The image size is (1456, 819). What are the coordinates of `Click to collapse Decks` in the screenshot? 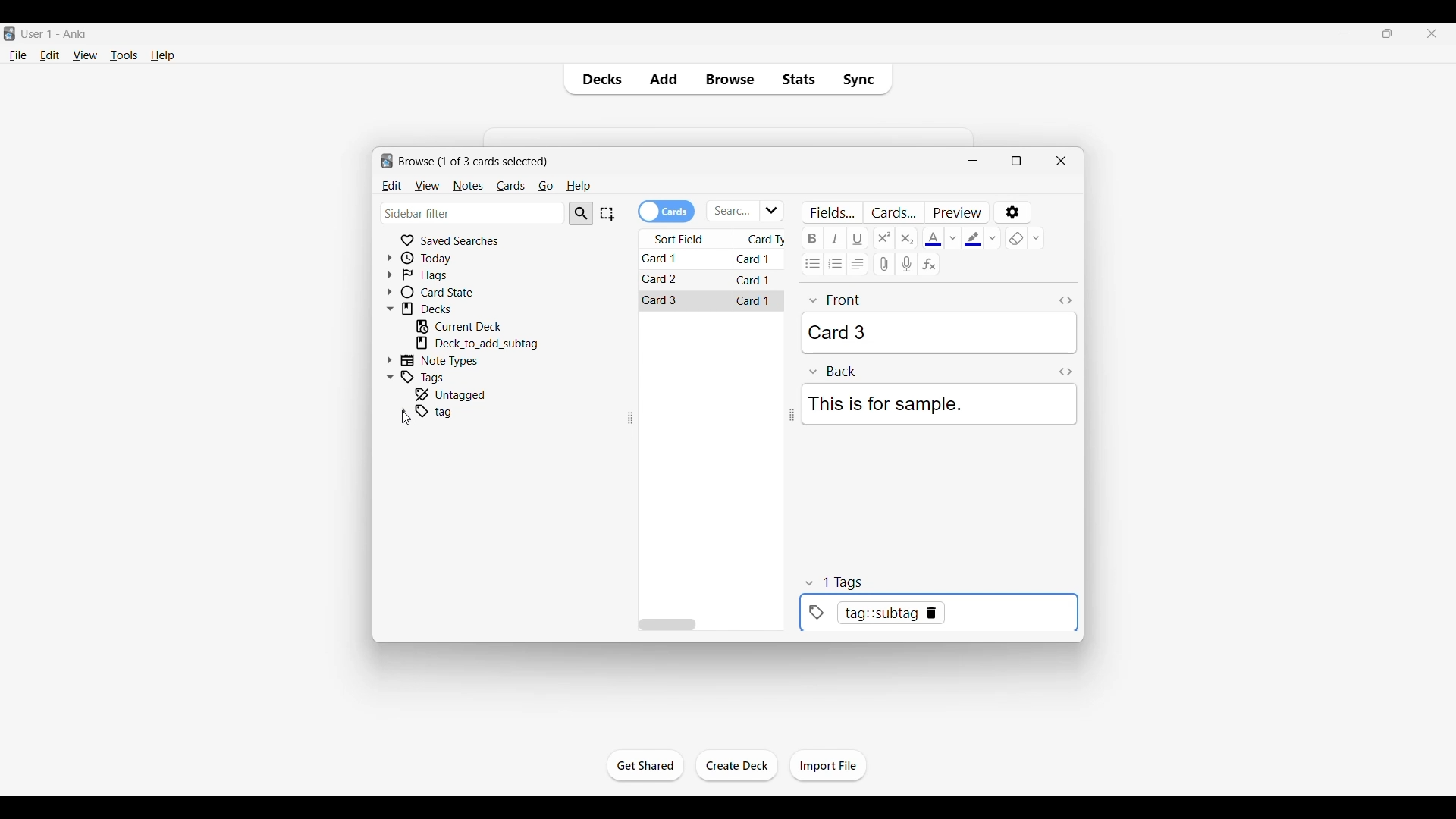 It's located at (390, 309).